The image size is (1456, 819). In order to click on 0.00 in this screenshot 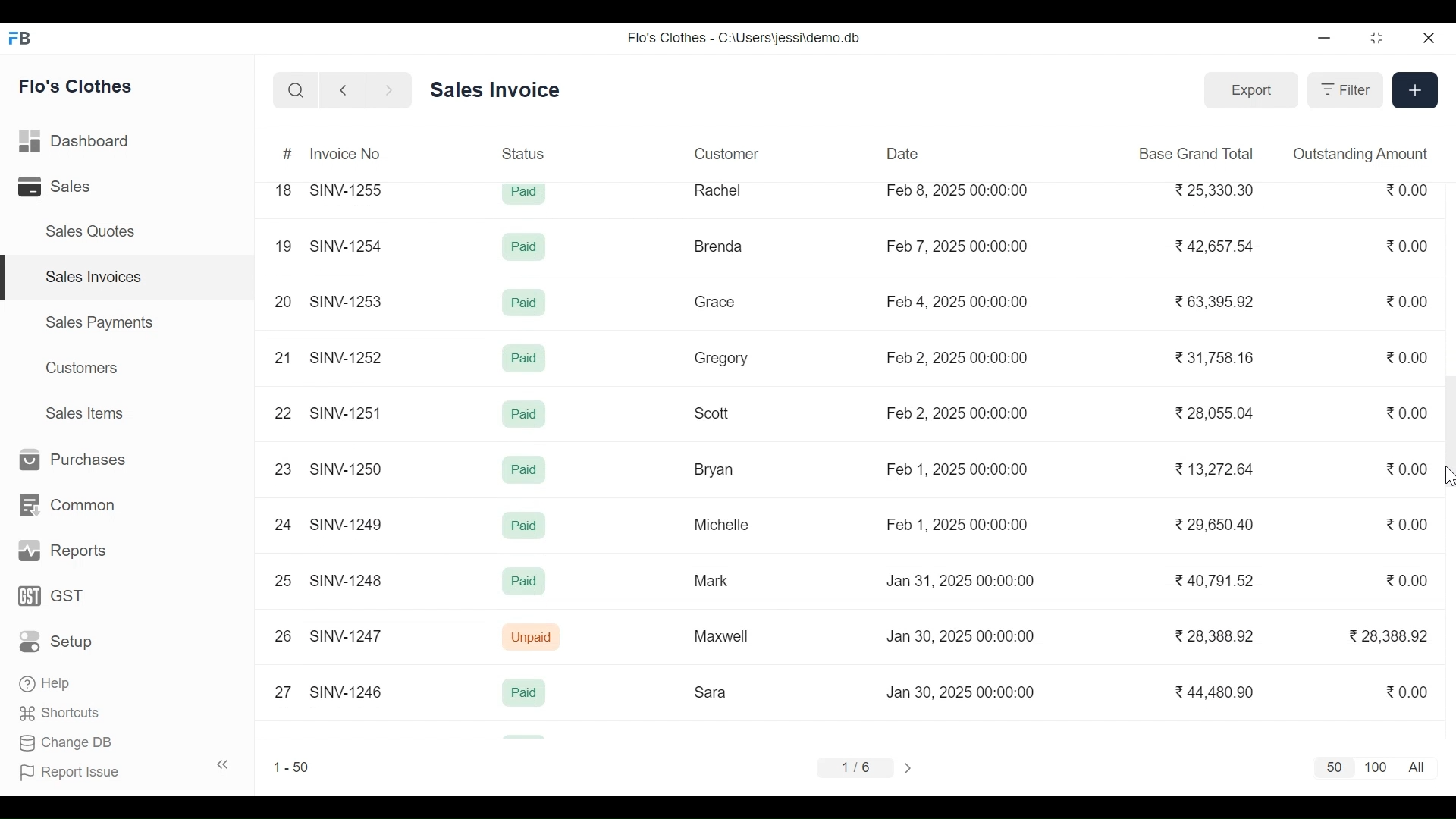, I will do `click(1410, 414)`.